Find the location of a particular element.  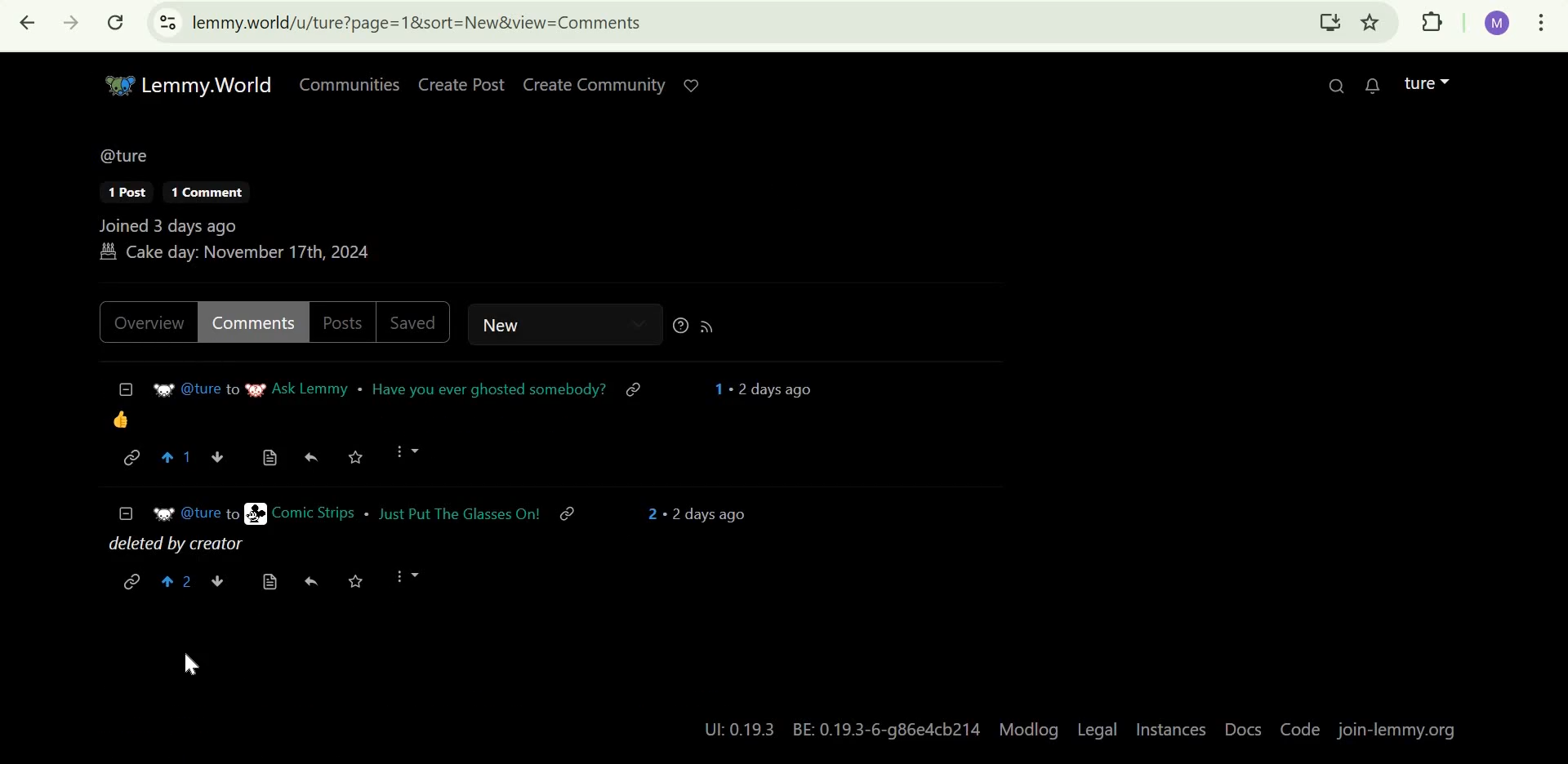

2 upvotes is located at coordinates (177, 584).